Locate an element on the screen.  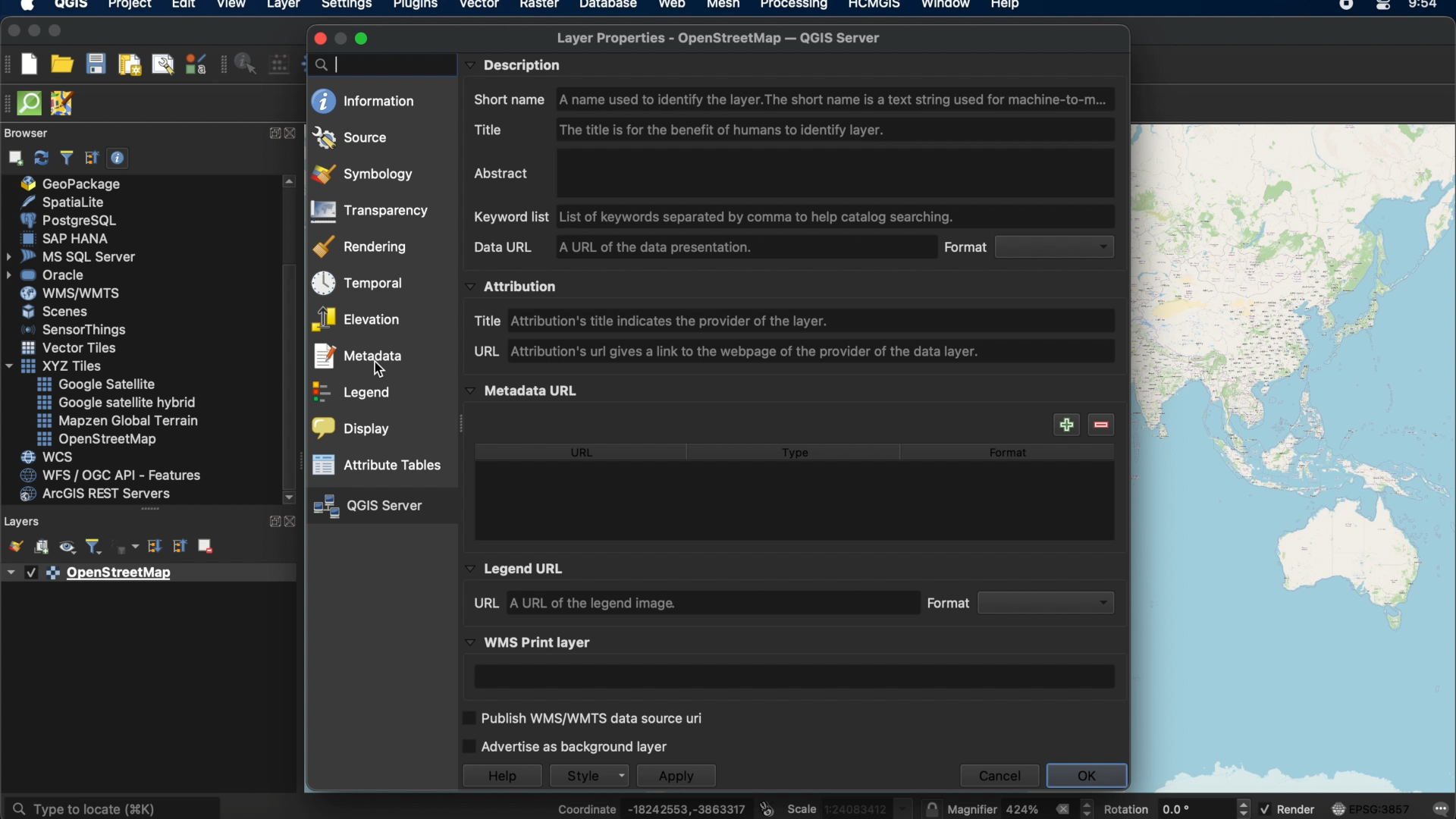
display is located at coordinates (352, 429).